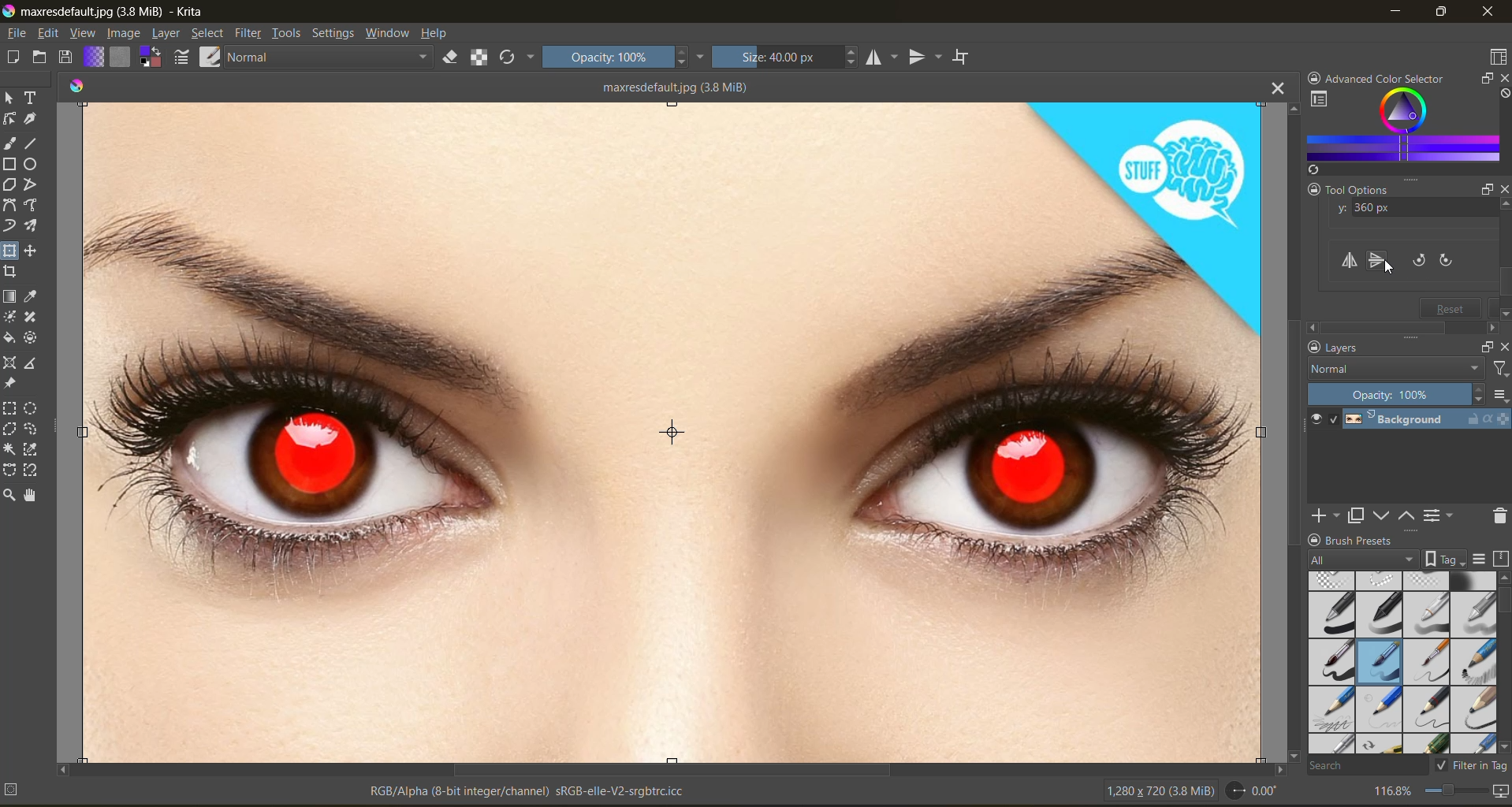 The height and width of the screenshot is (807, 1512). I want to click on y axis, so click(1370, 210).